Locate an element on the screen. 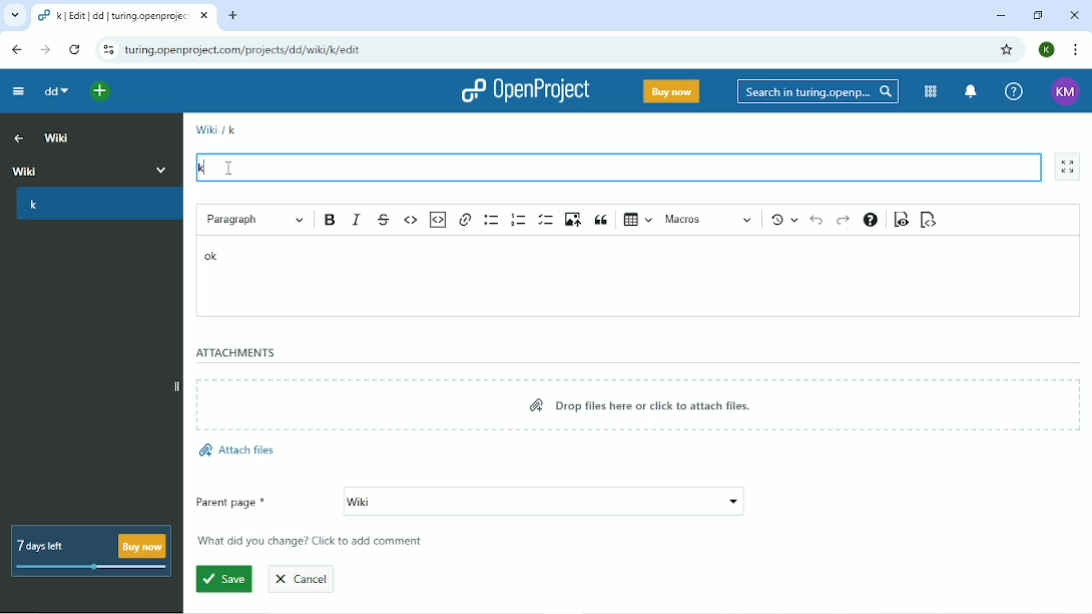  OpenProject is located at coordinates (525, 93).